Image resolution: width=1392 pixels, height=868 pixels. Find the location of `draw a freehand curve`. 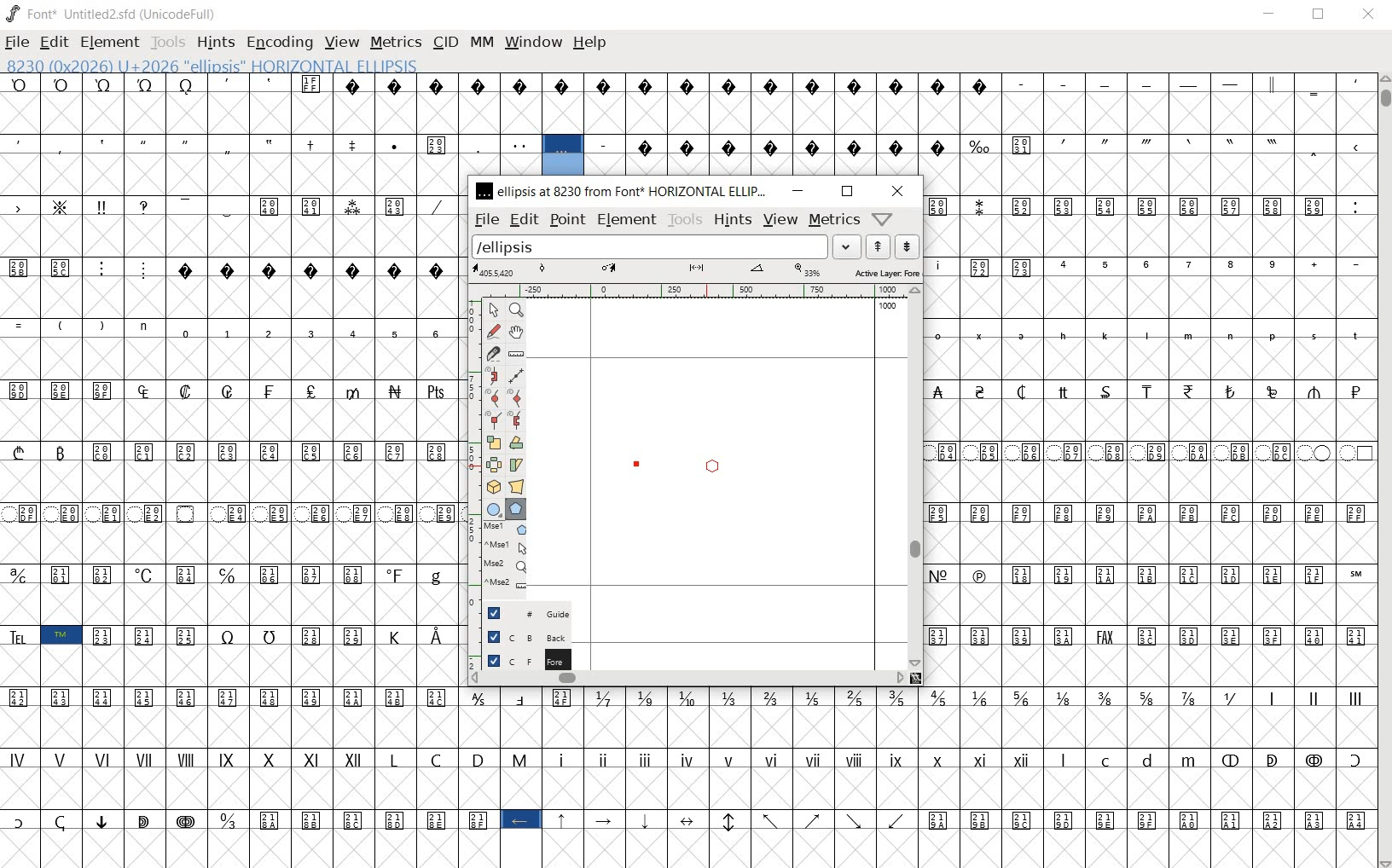

draw a freehand curve is located at coordinates (493, 331).